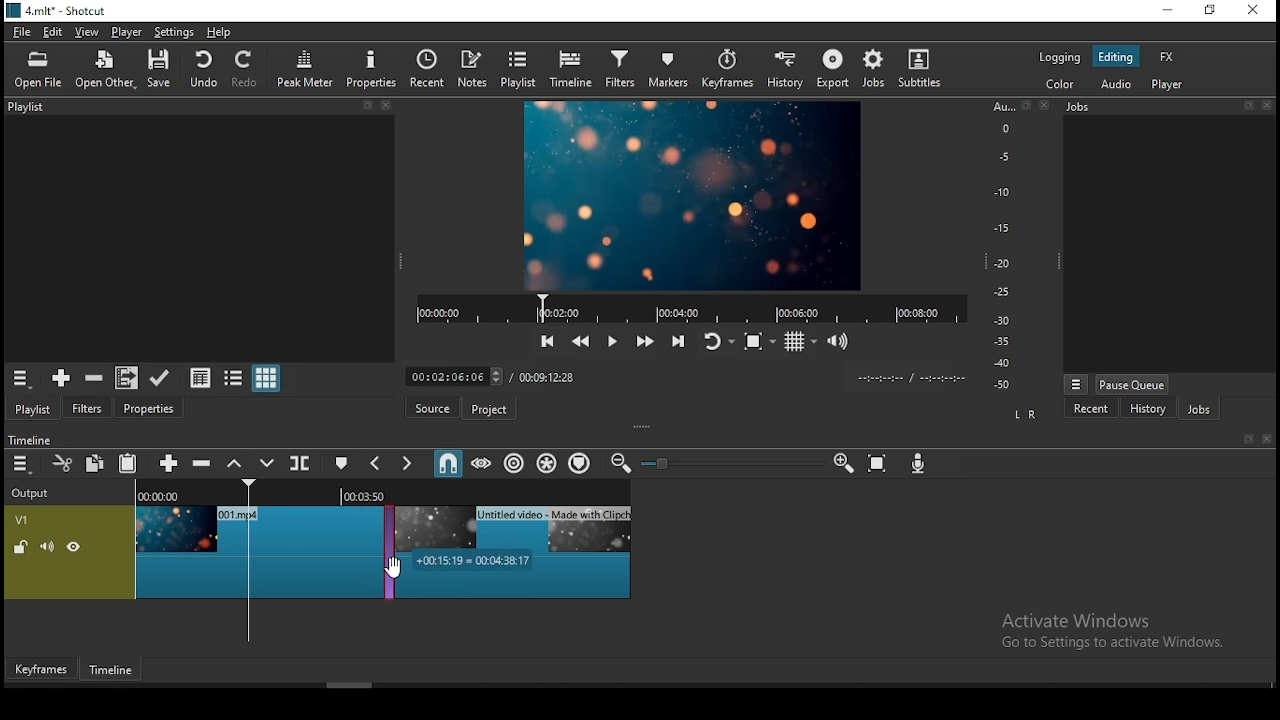 The width and height of the screenshot is (1280, 720). Describe the element at coordinates (247, 69) in the screenshot. I see `redo` at that location.